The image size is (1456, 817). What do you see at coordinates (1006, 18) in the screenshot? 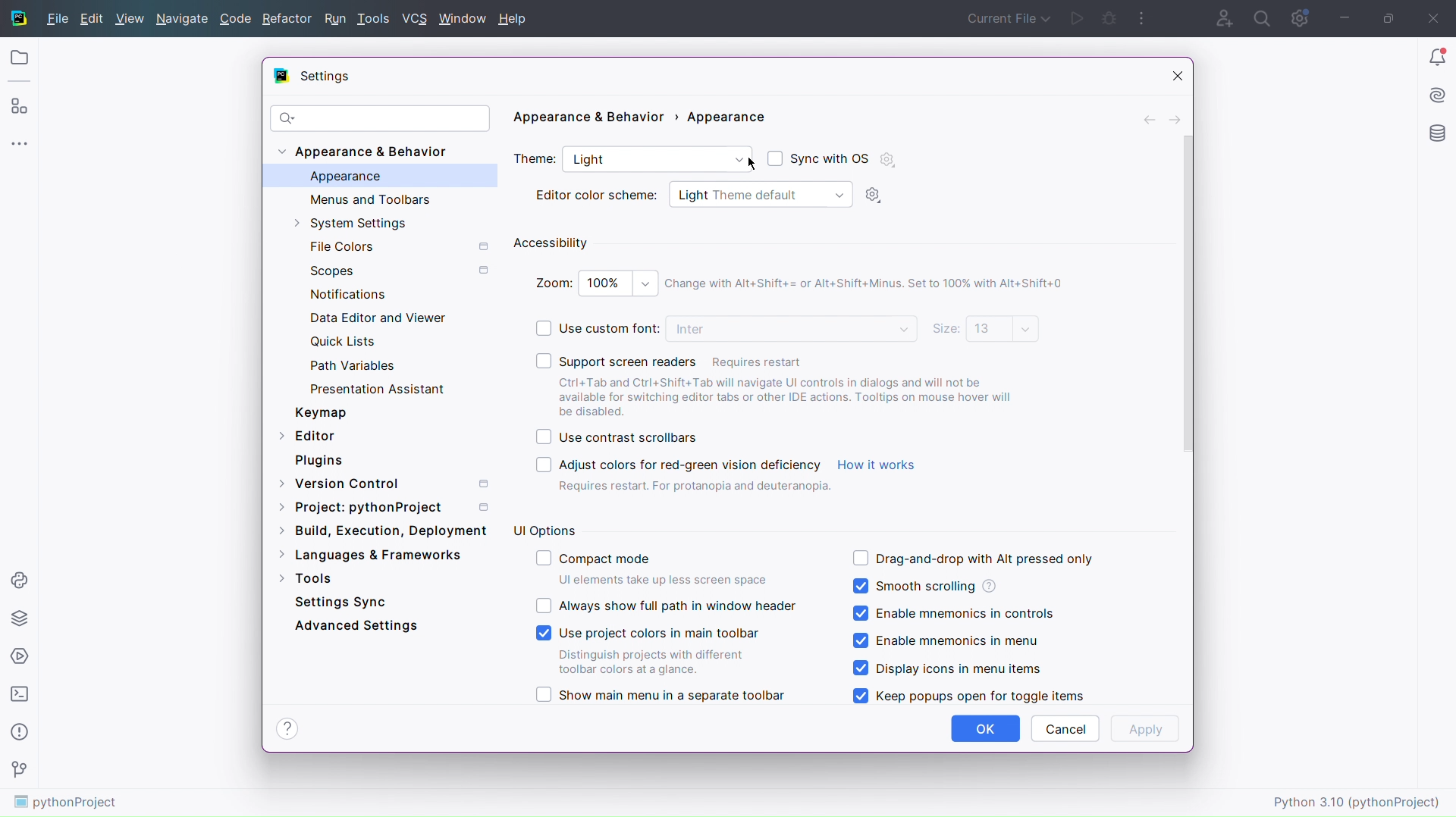
I see `Current File` at bounding box center [1006, 18].